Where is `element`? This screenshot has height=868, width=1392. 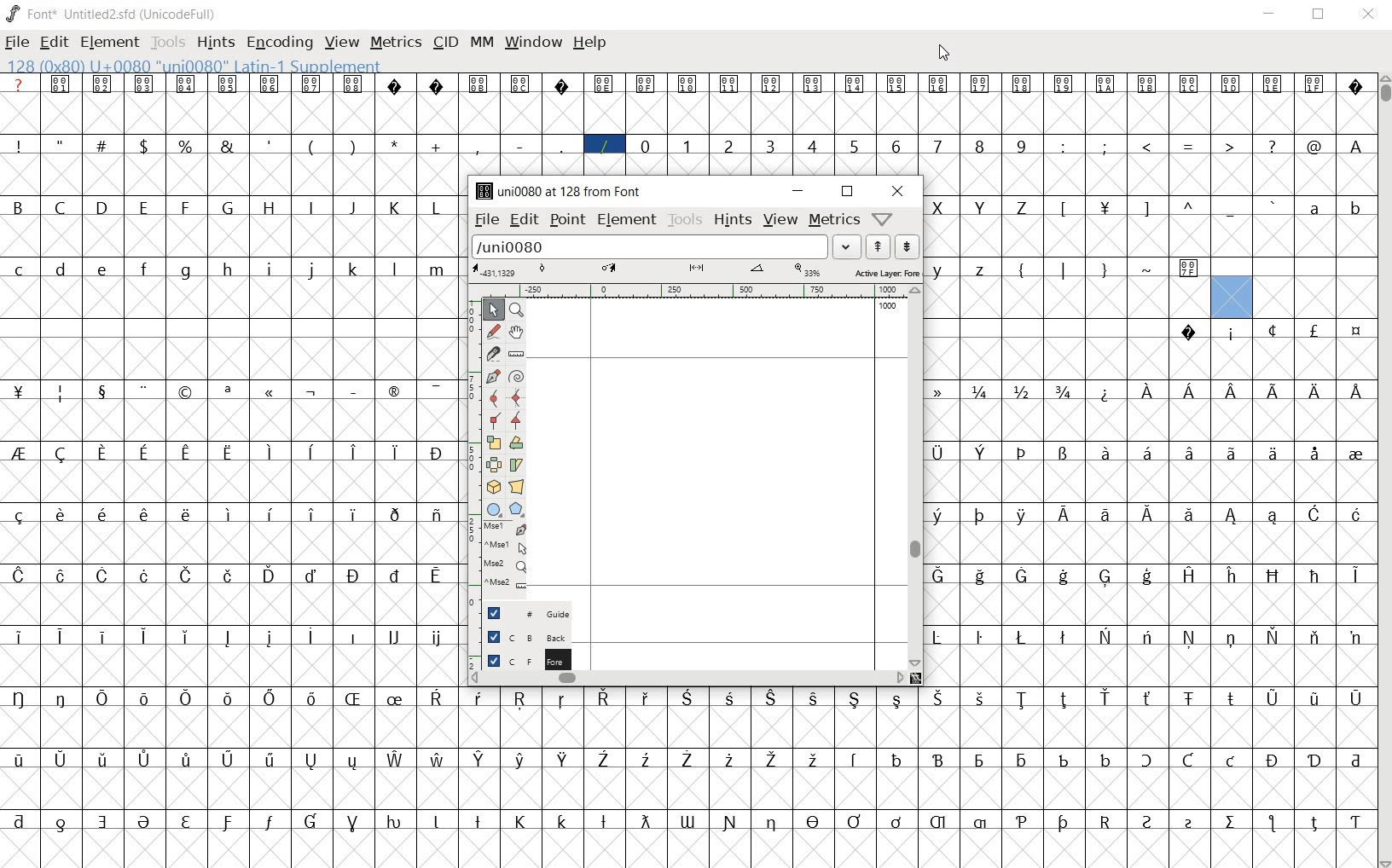 element is located at coordinates (626, 220).